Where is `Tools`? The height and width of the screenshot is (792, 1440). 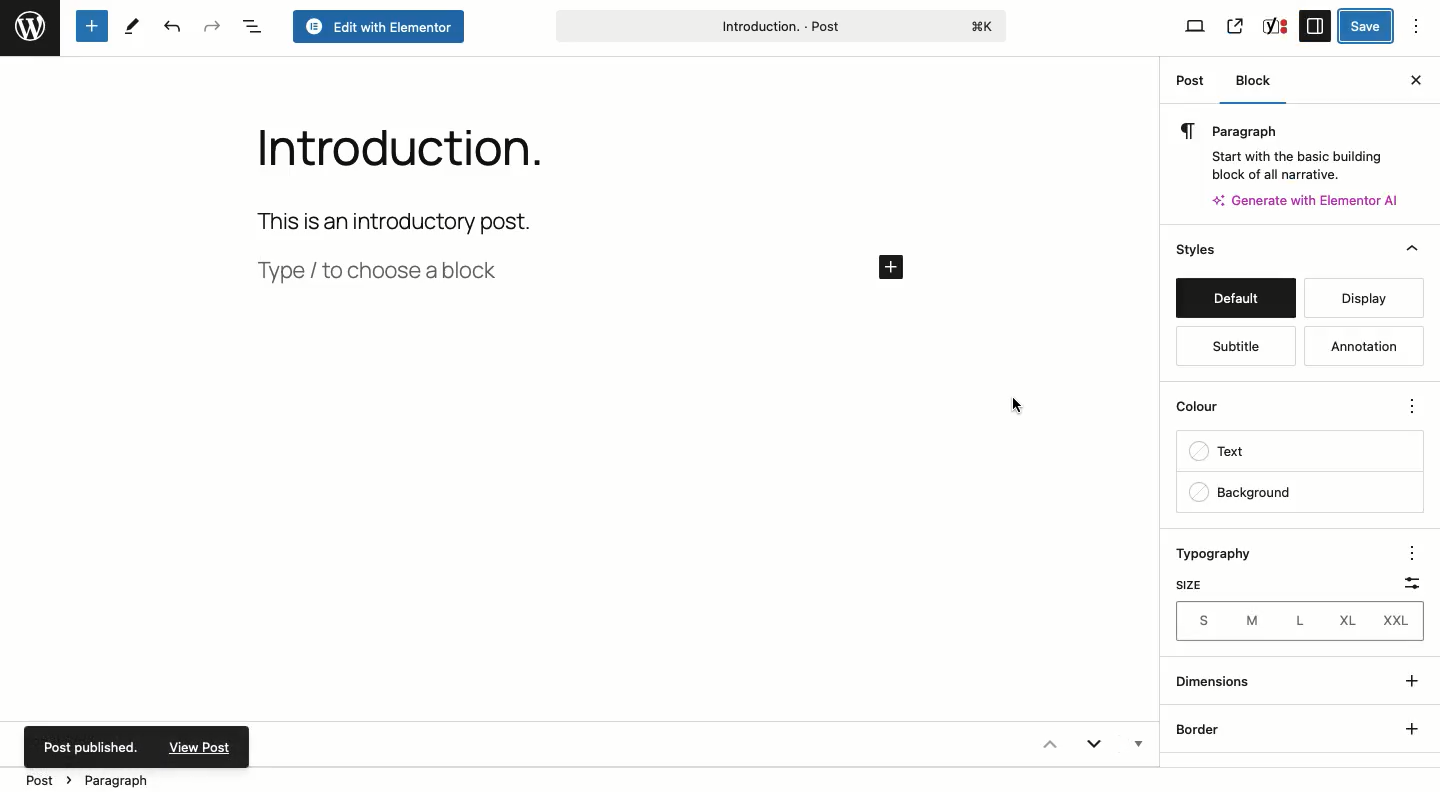 Tools is located at coordinates (133, 25).